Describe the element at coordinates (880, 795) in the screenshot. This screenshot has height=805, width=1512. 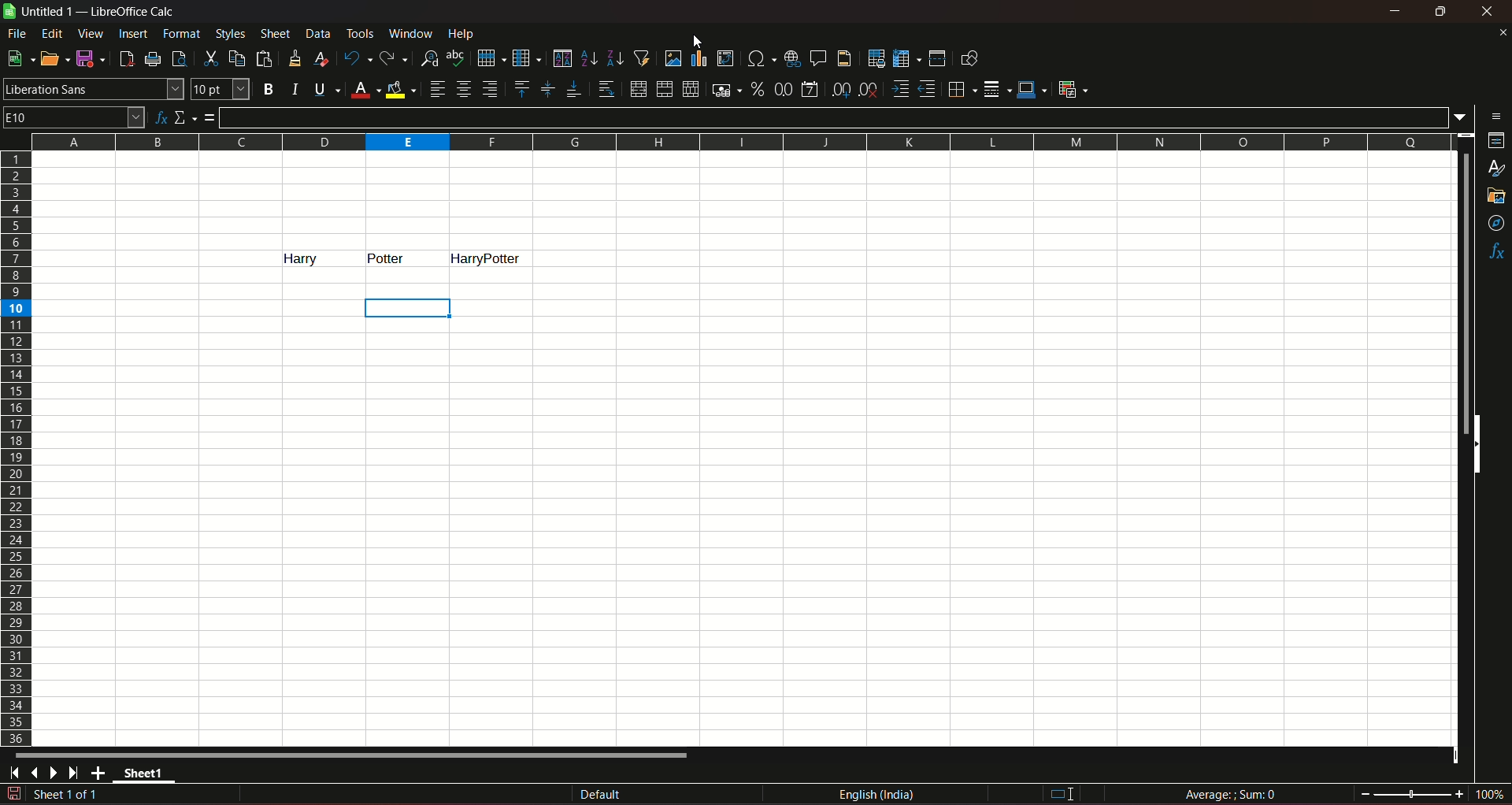
I see `language` at that location.